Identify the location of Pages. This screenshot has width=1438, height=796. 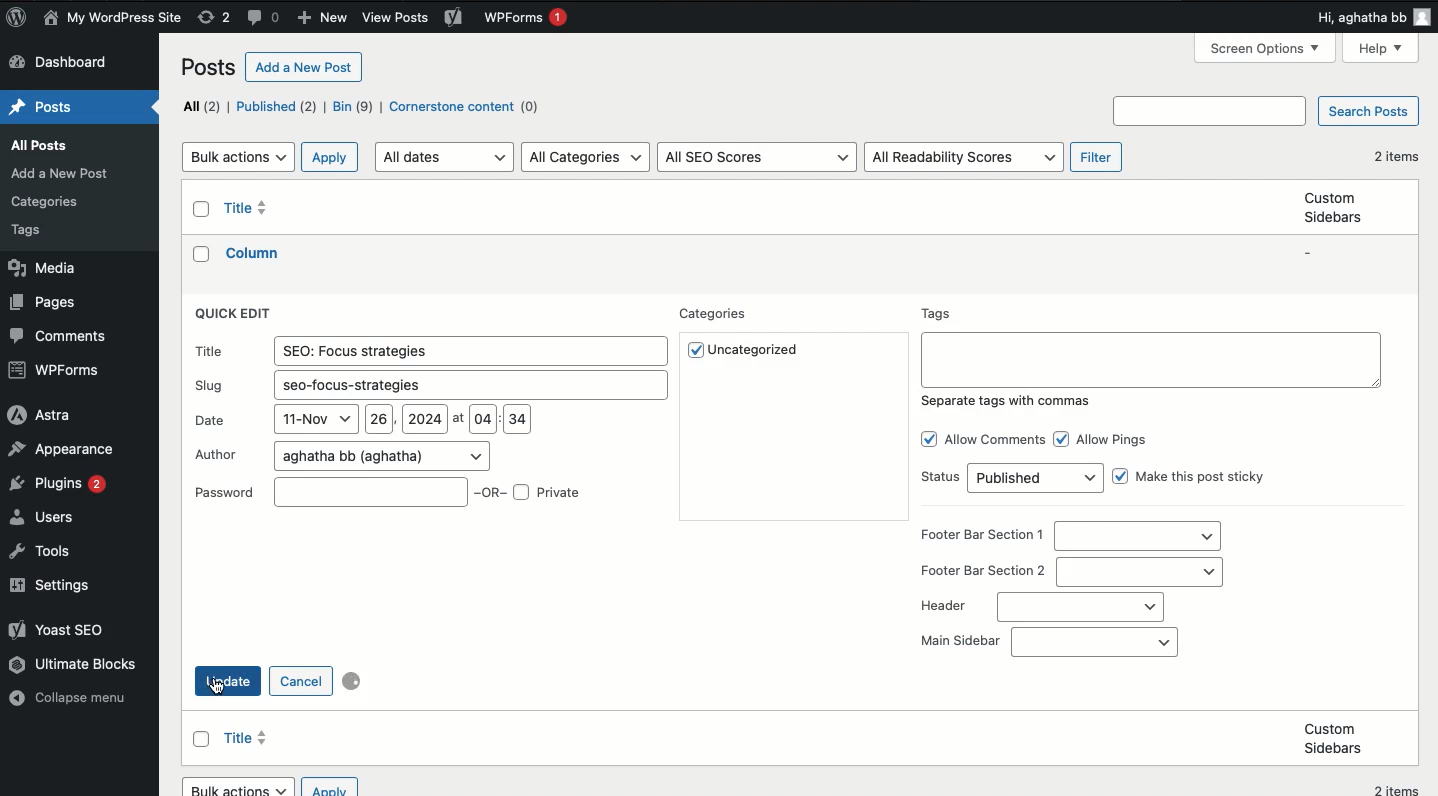
(43, 303).